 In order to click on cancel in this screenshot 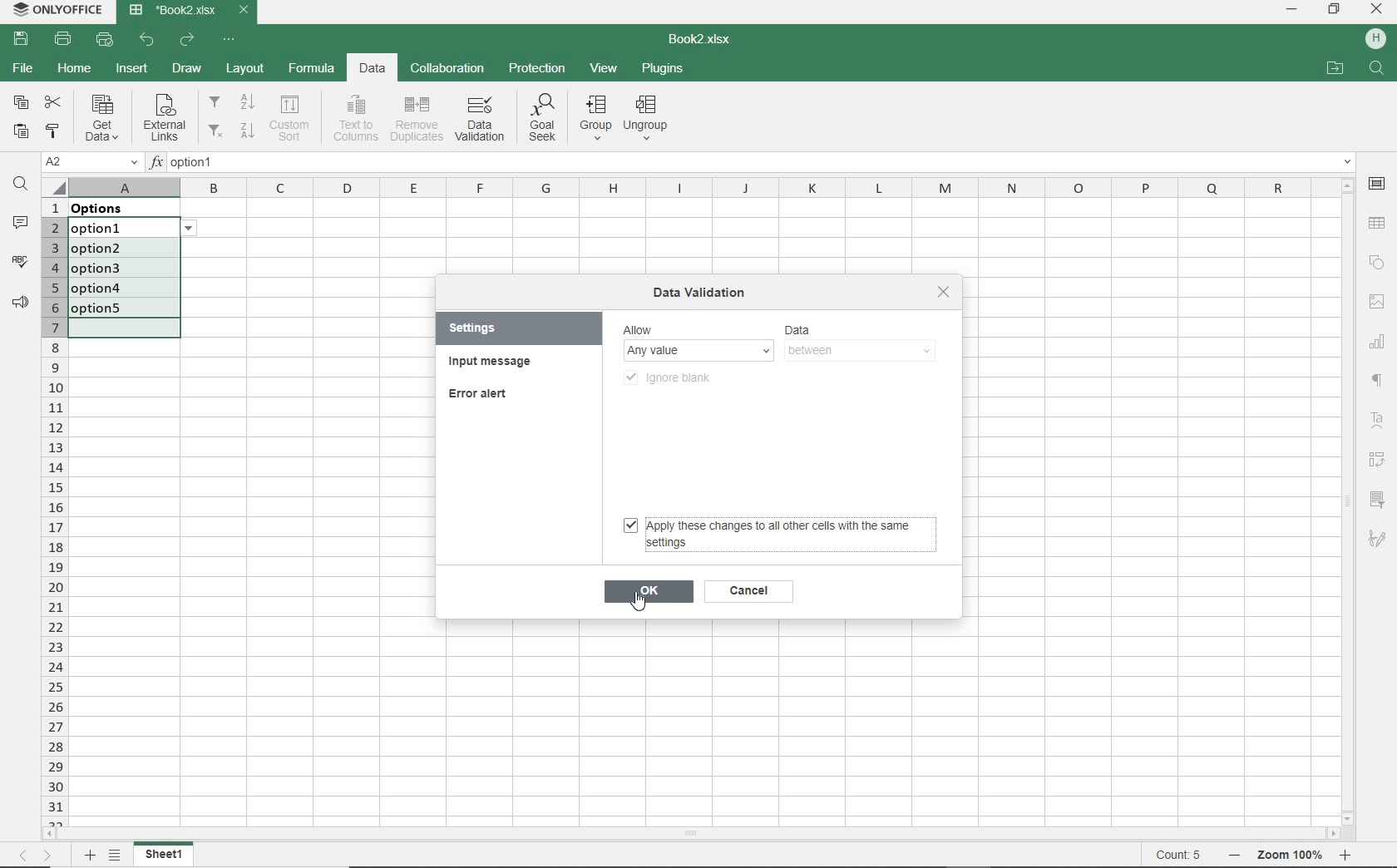, I will do `click(748, 593)`.